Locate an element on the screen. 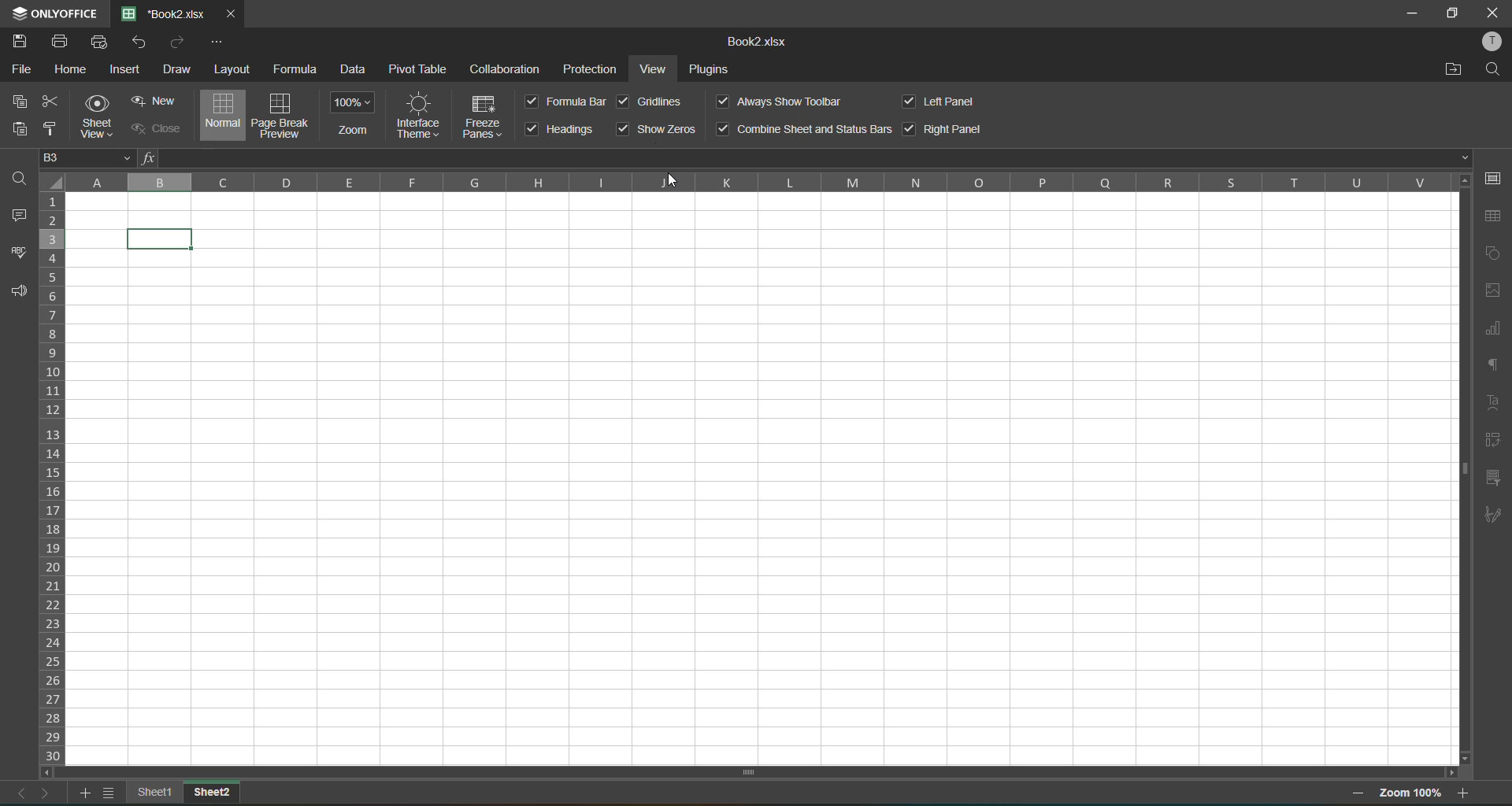  Gridlines enabled is located at coordinates (624, 103).